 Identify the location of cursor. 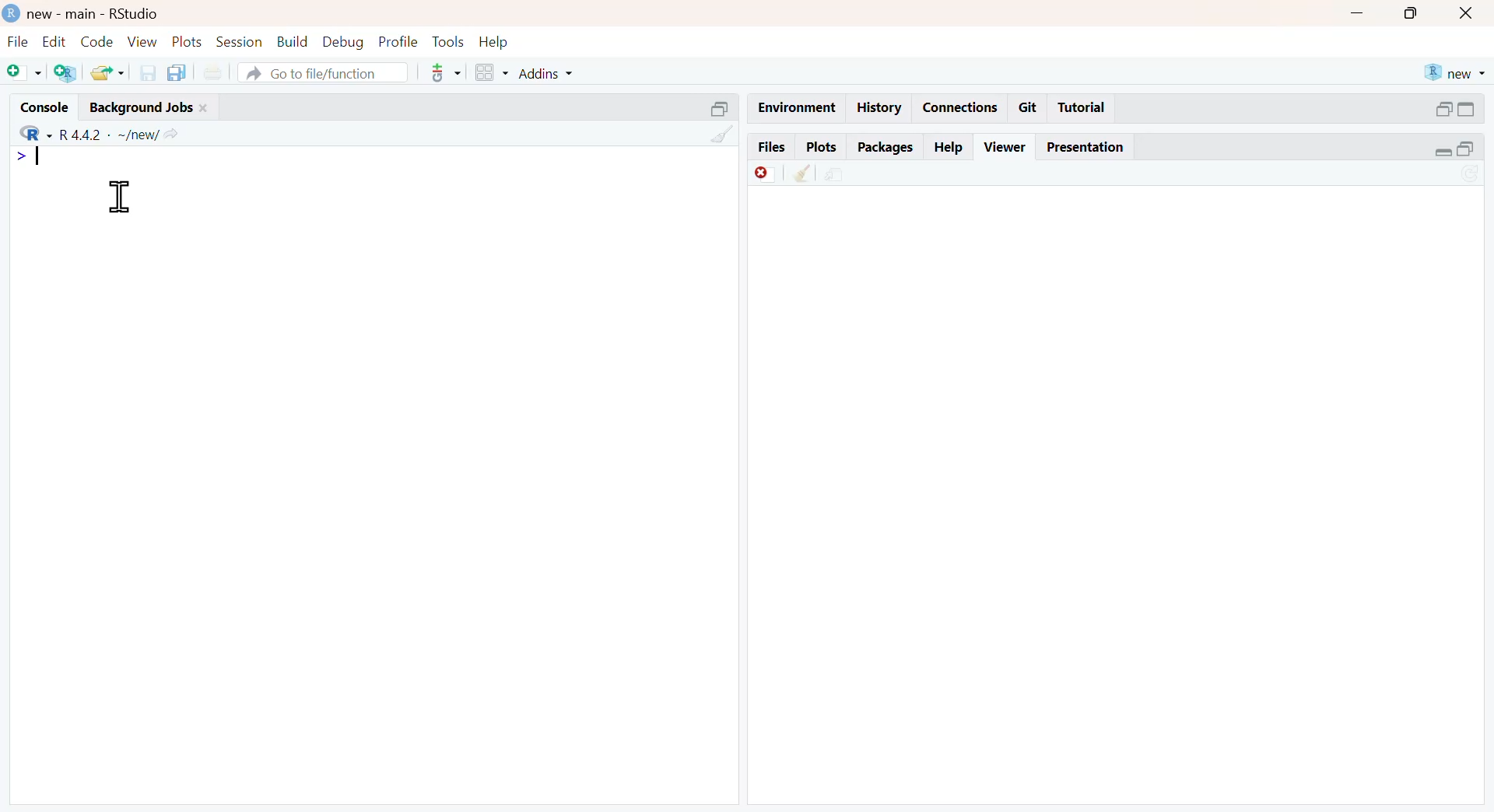
(121, 197).